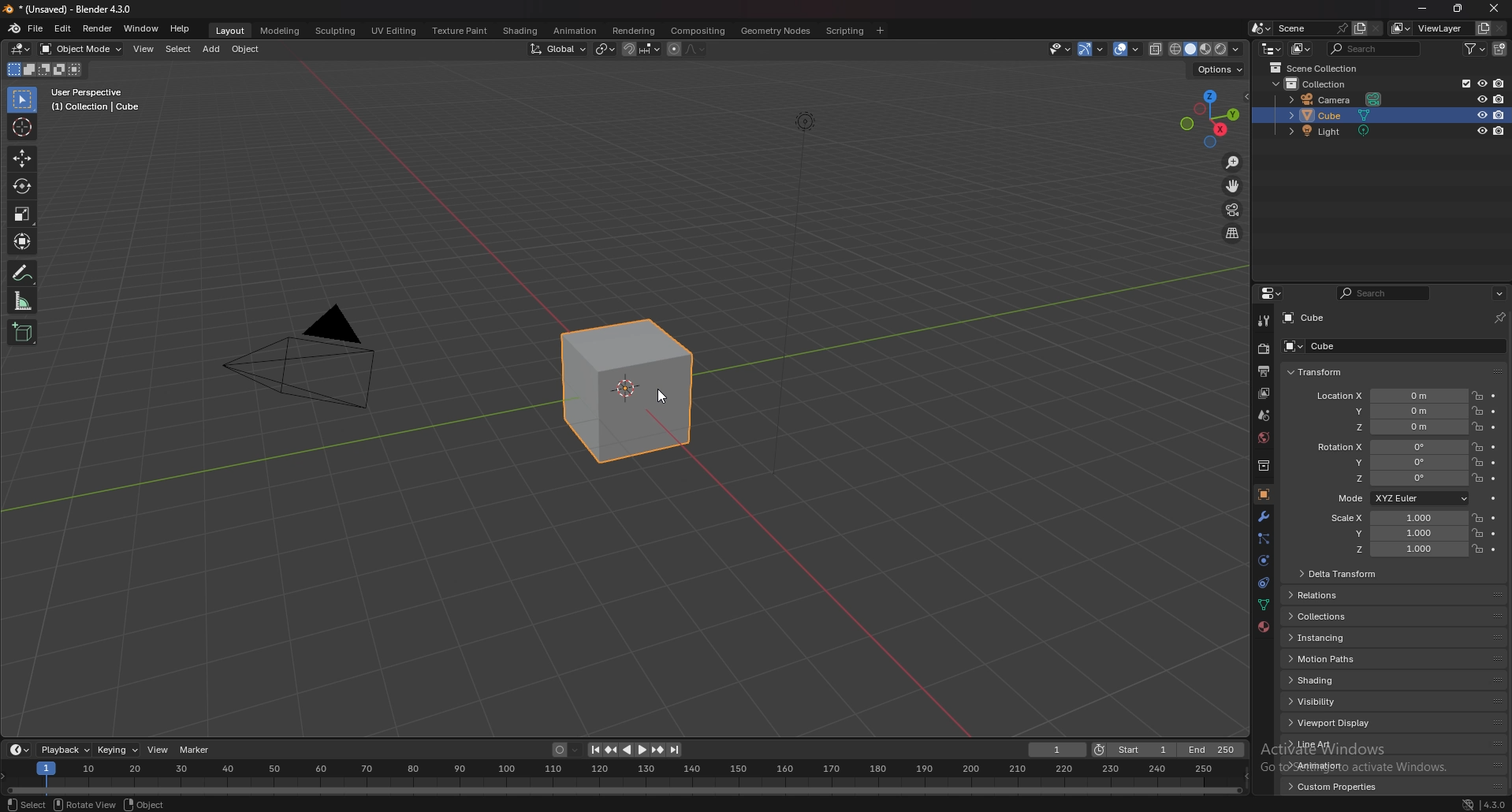 The height and width of the screenshot is (812, 1512). What do you see at coordinates (1400, 549) in the screenshot?
I see `scale z` at bounding box center [1400, 549].